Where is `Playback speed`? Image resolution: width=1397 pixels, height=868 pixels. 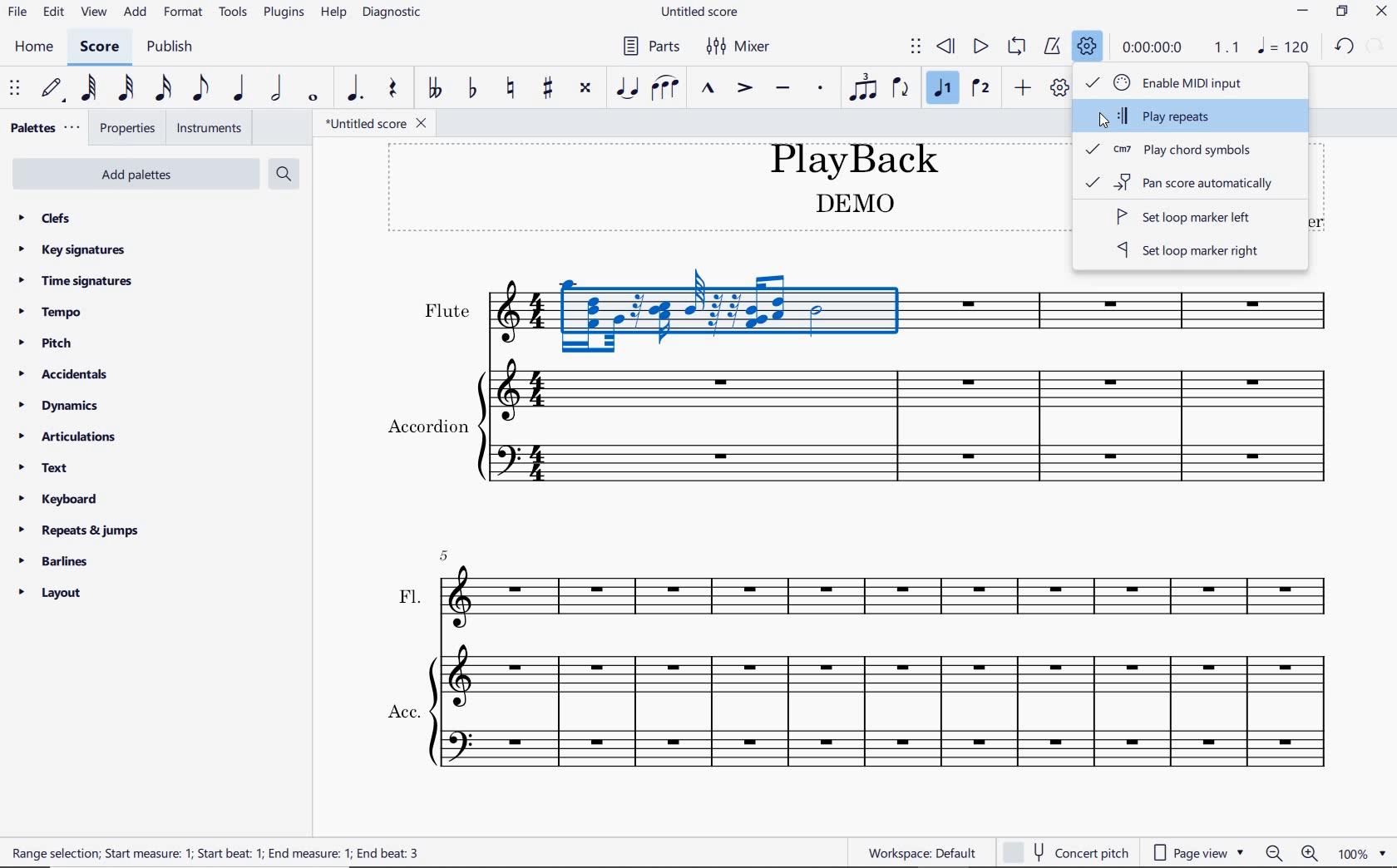
Playback speed is located at coordinates (1226, 49).